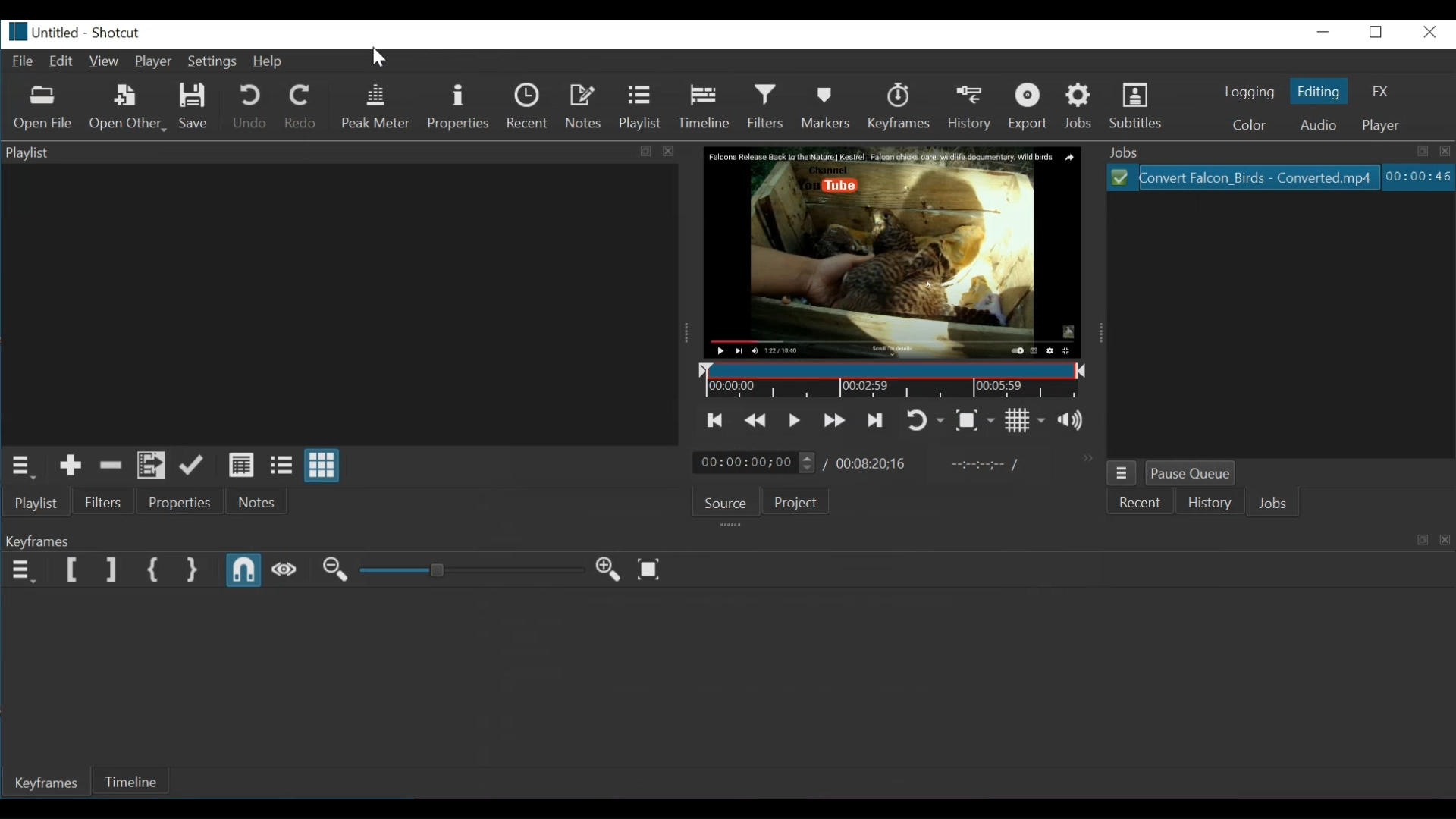  Describe the element at coordinates (1326, 35) in the screenshot. I see `minimize` at that location.